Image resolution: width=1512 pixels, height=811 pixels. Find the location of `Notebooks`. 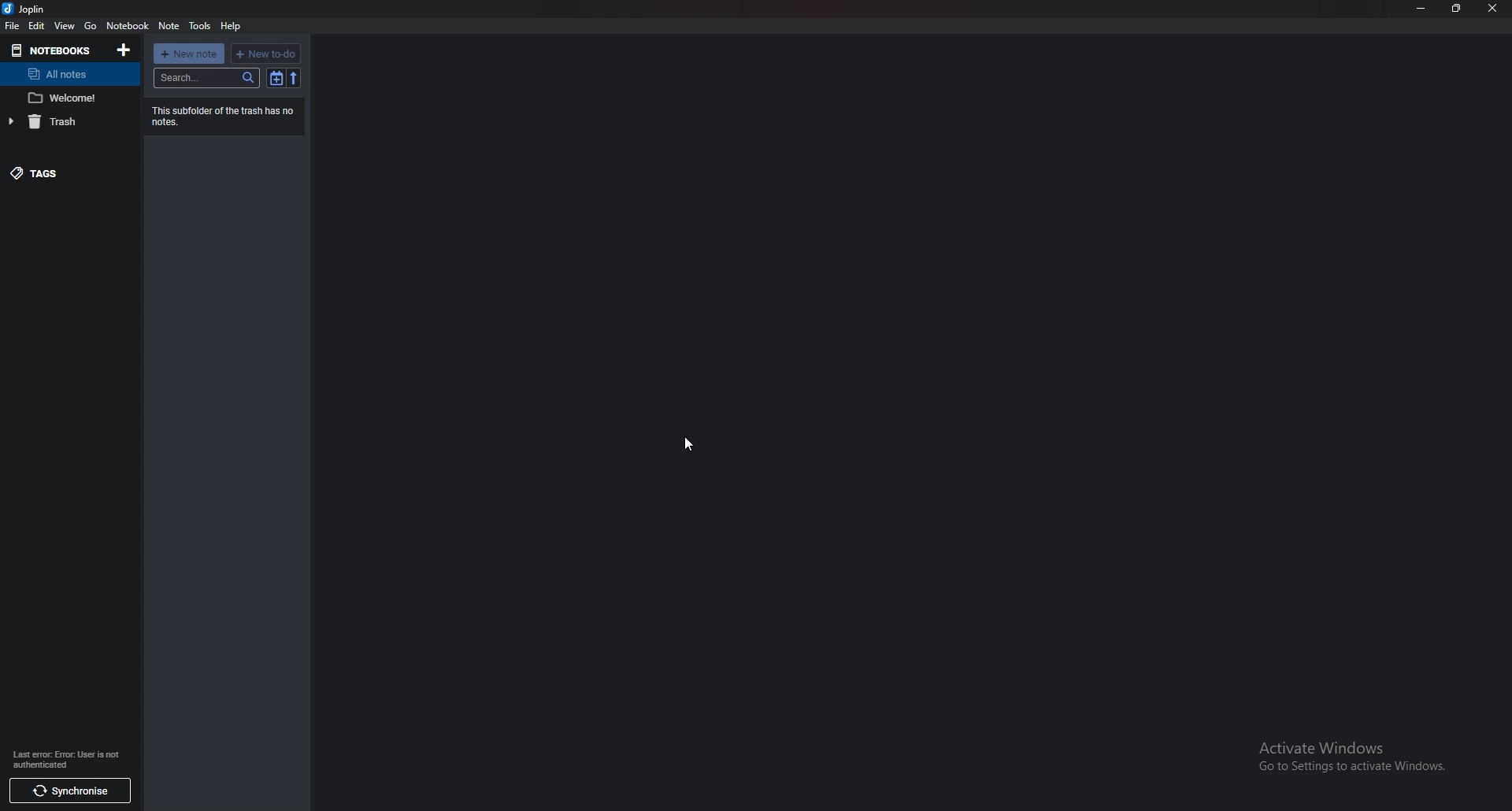

Notebooks is located at coordinates (54, 50).